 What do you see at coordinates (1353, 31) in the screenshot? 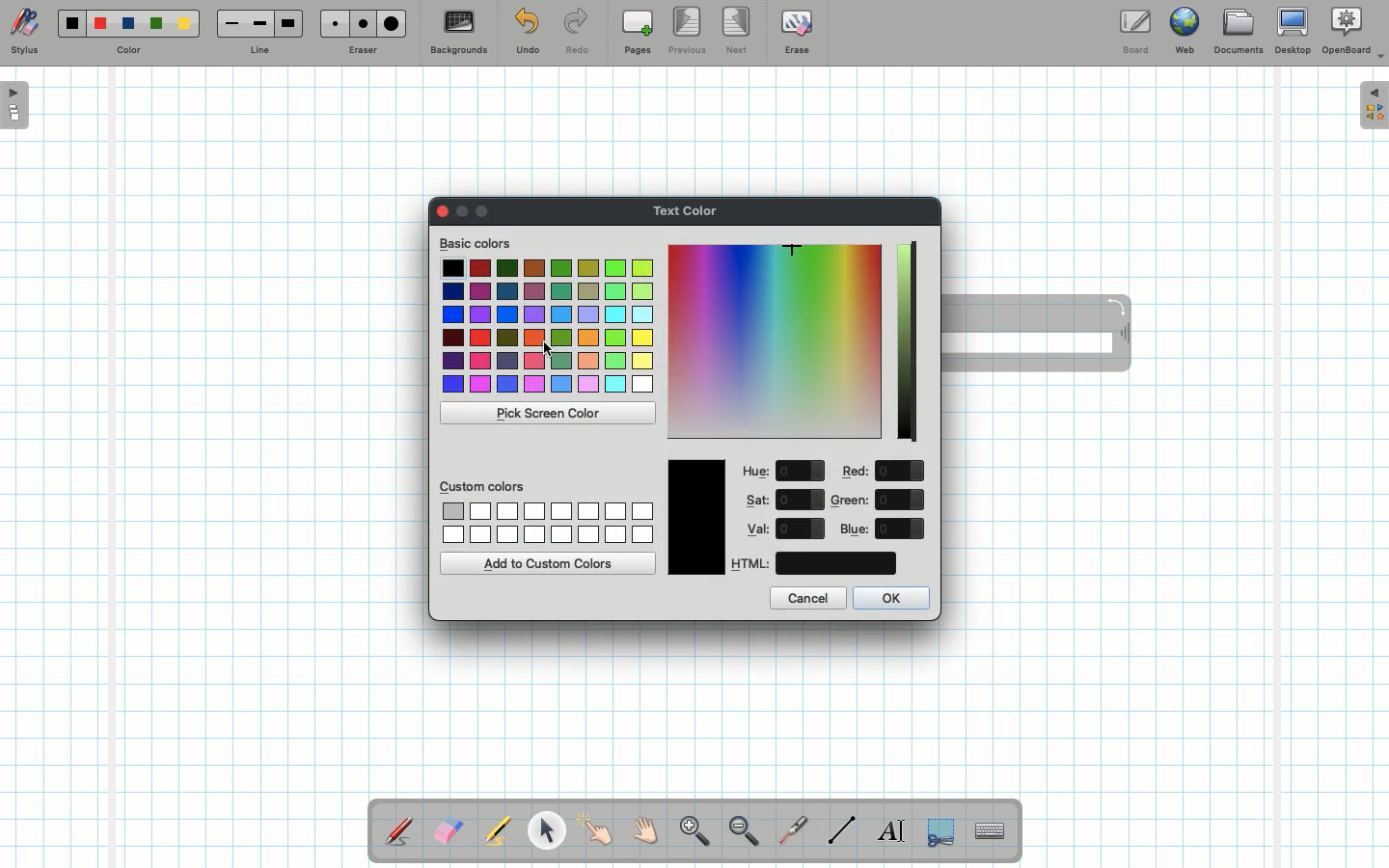
I see `OpenBoard` at bounding box center [1353, 31].